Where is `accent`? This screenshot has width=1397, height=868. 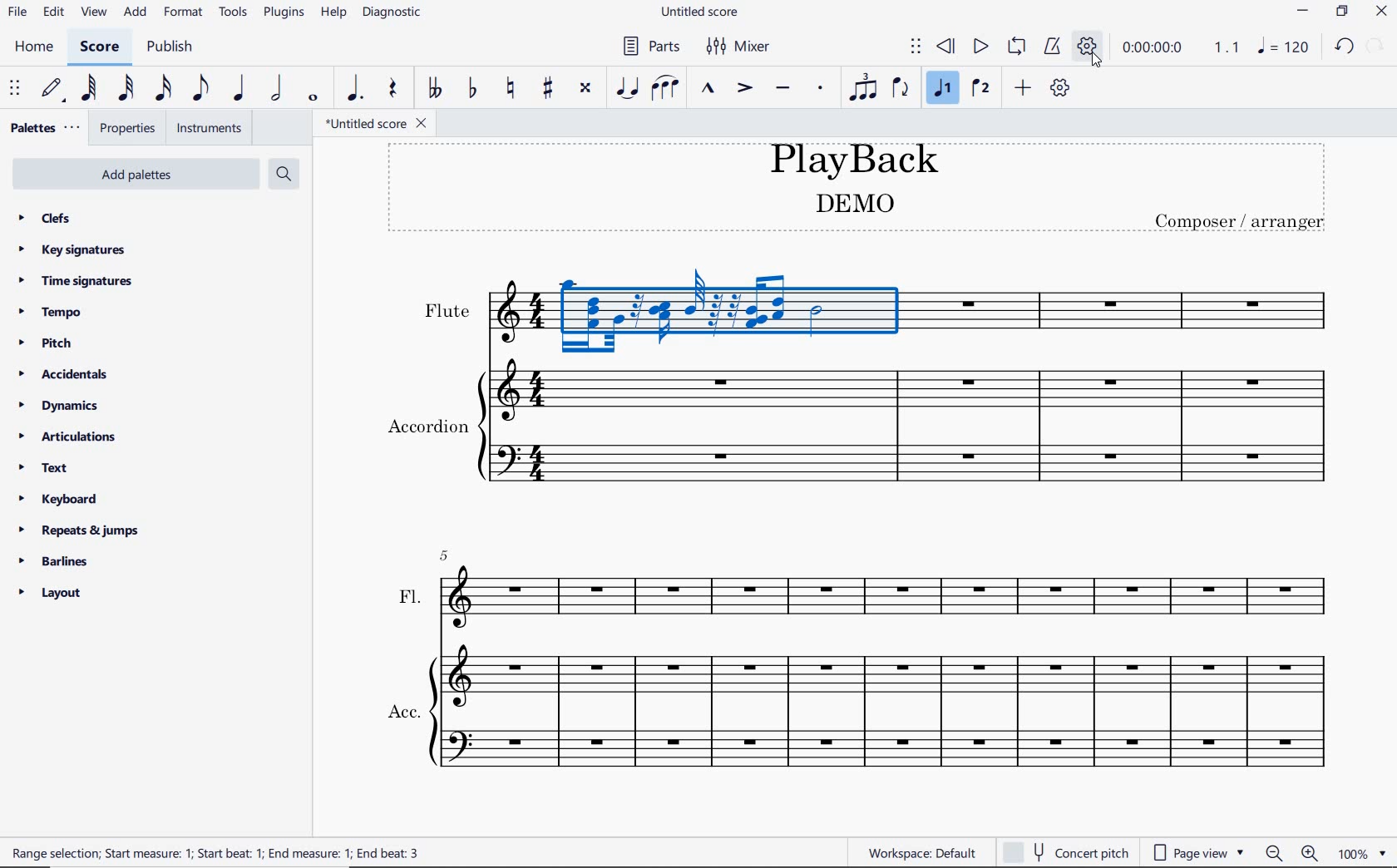 accent is located at coordinates (743, 87).